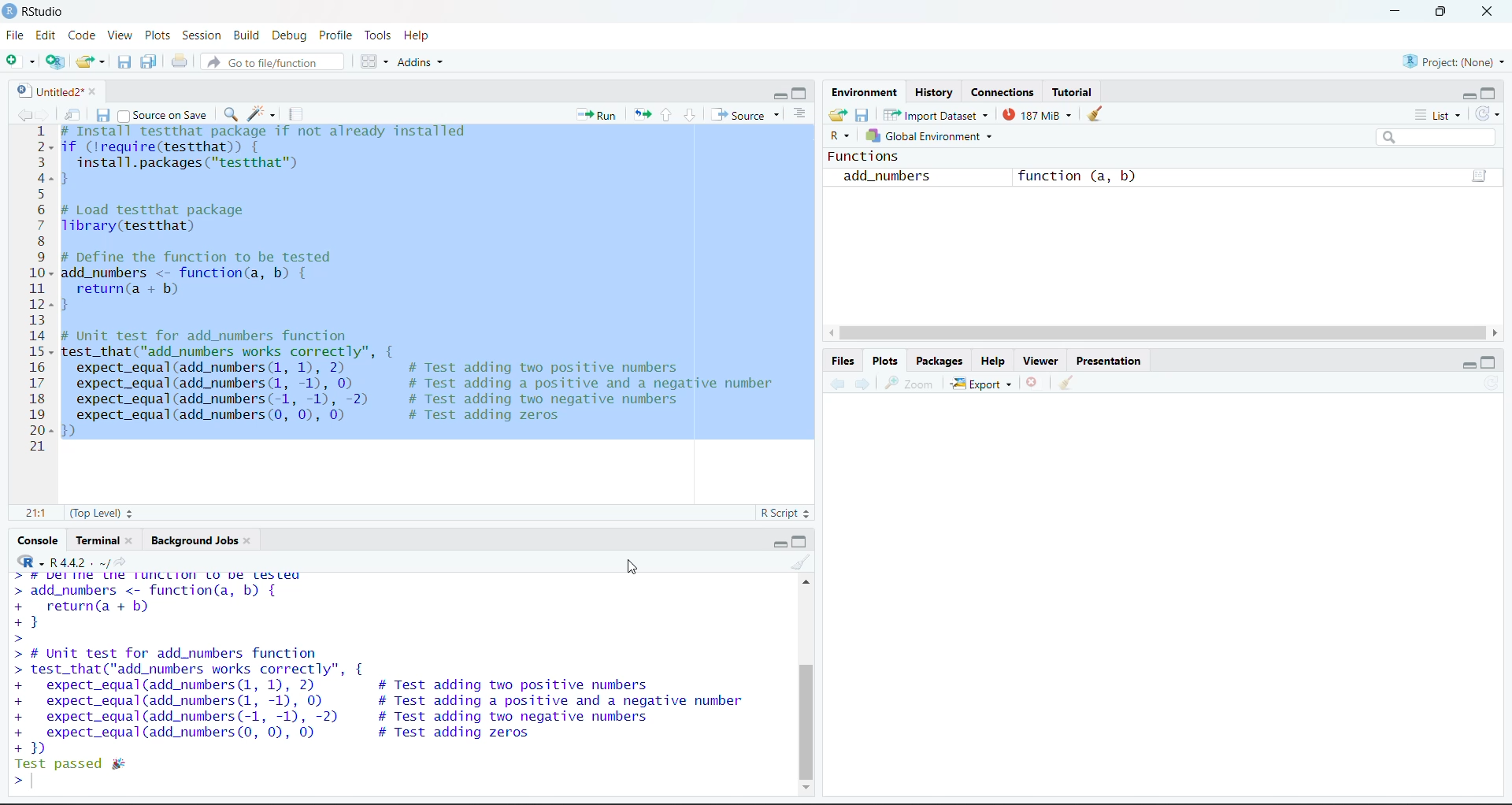  I want to click on minimize, so click(1397, 9).